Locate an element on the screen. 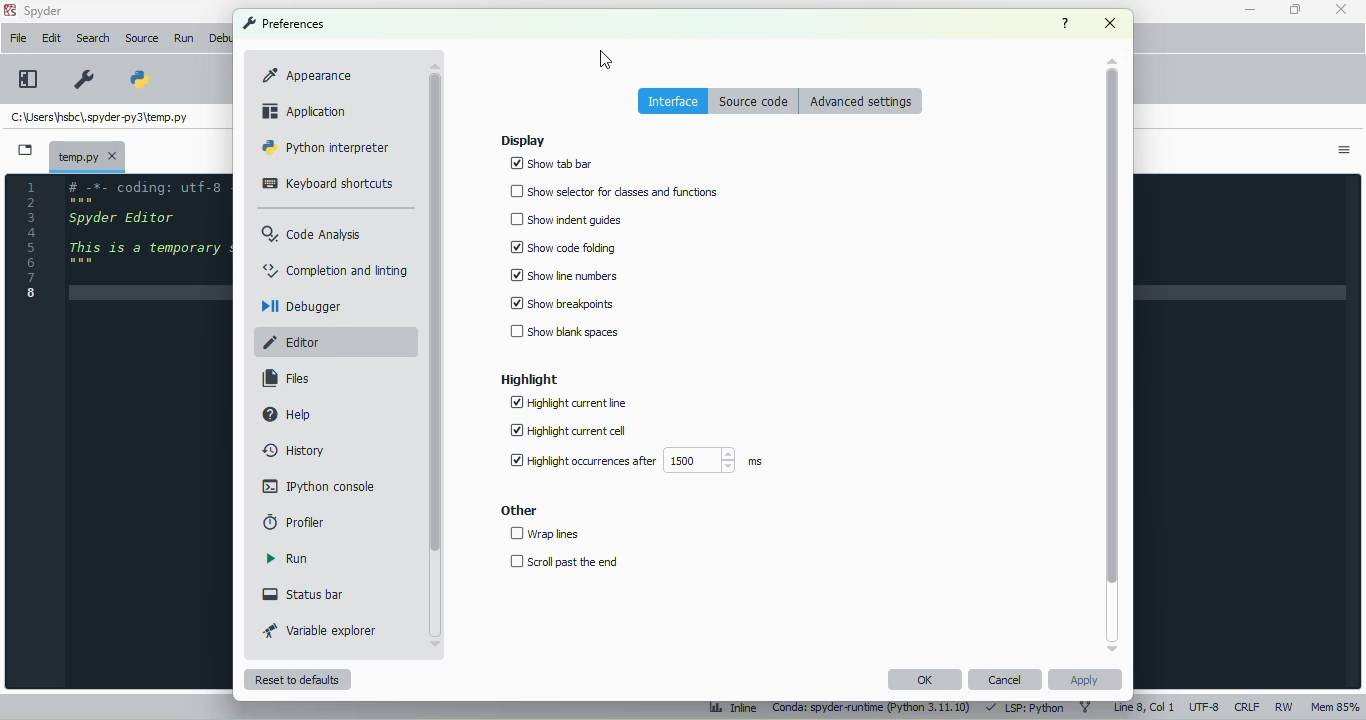  mem 85% is located at coordinates (1334, 707).